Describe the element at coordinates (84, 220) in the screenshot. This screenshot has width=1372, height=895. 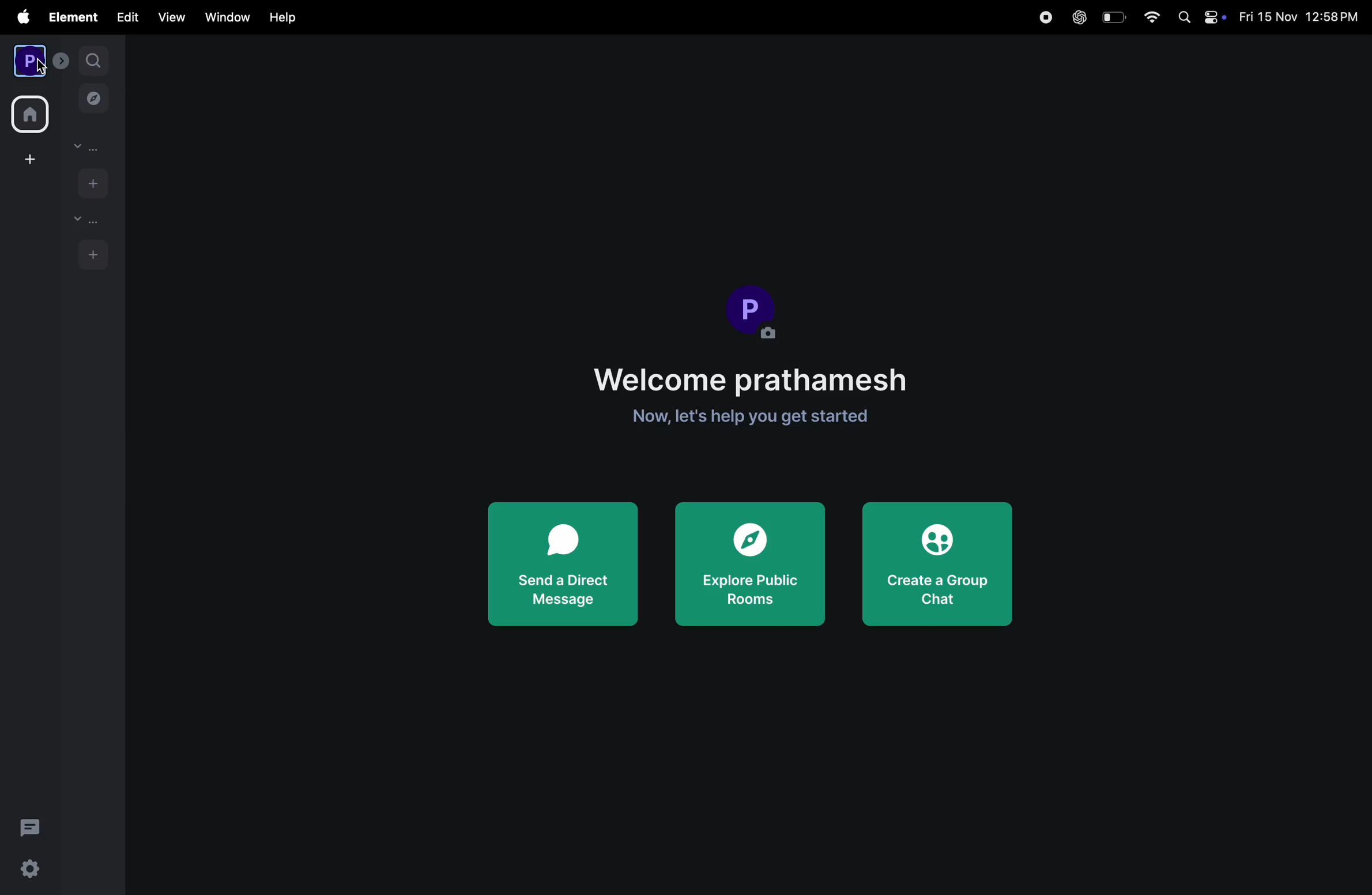
I see `rooms` at that location.